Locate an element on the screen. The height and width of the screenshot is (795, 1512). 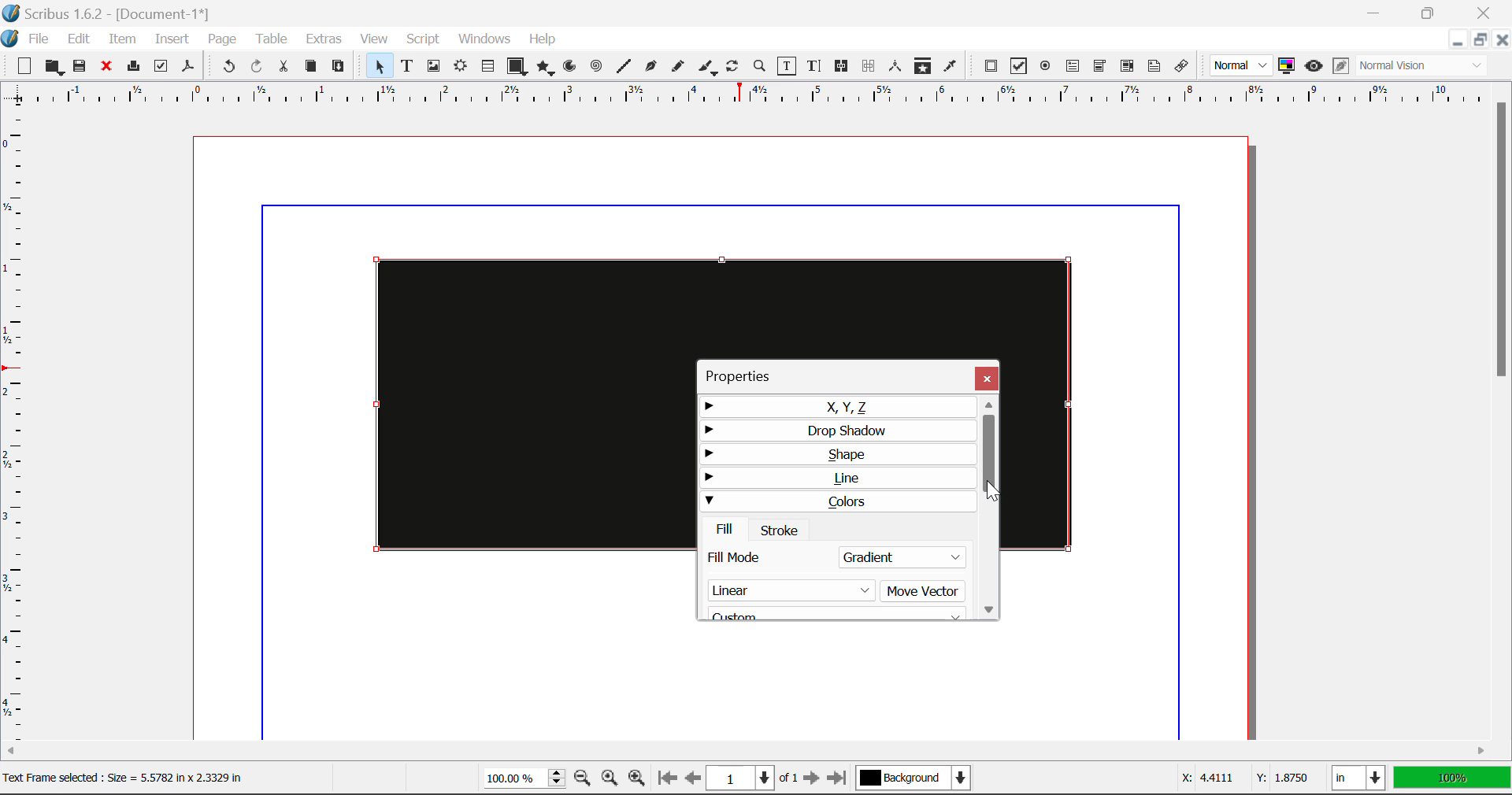
Table is located at coordinates (270, 40).